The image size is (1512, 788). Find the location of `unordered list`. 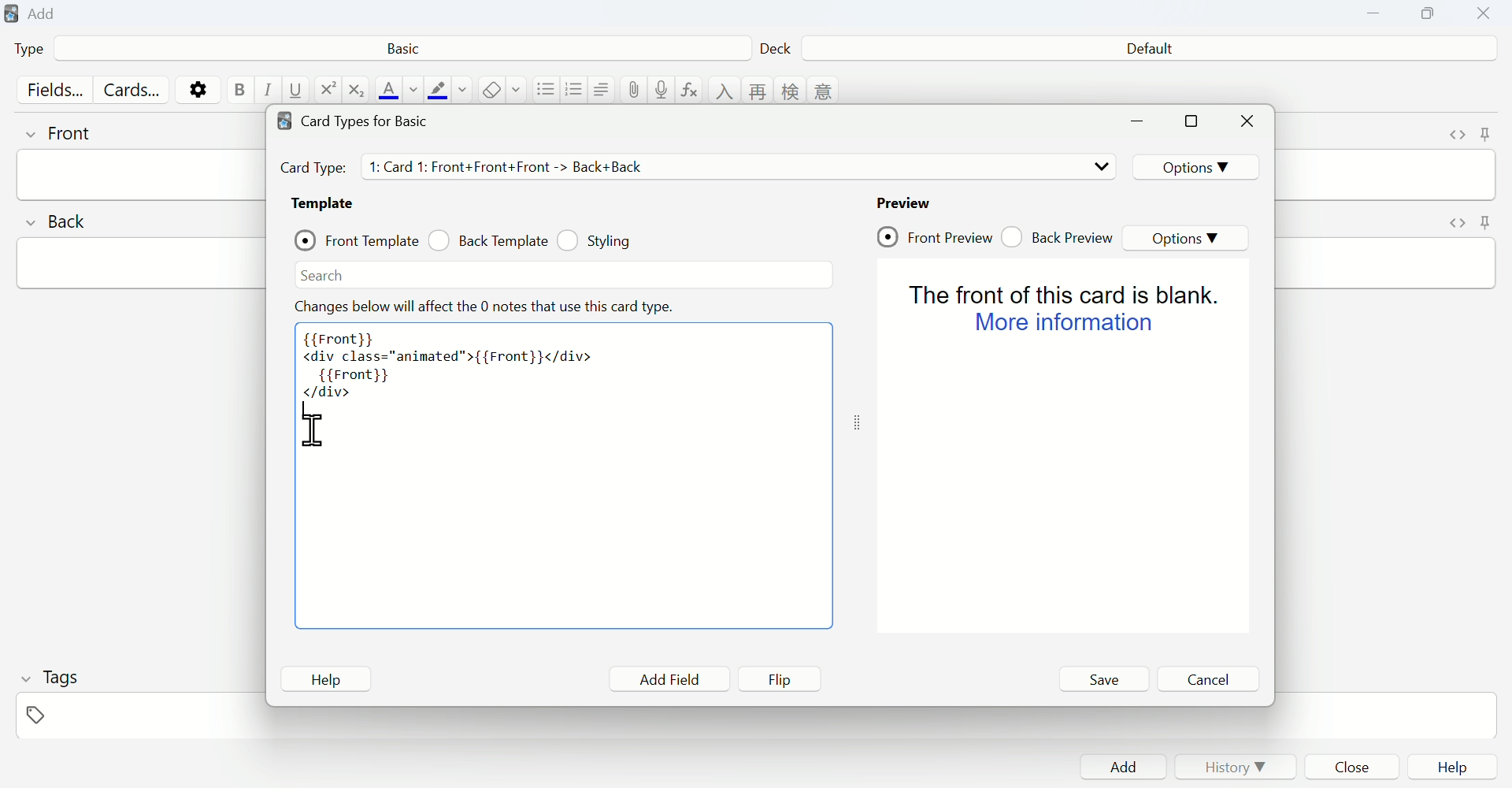

unordered list is located at coordinates (545, 90).